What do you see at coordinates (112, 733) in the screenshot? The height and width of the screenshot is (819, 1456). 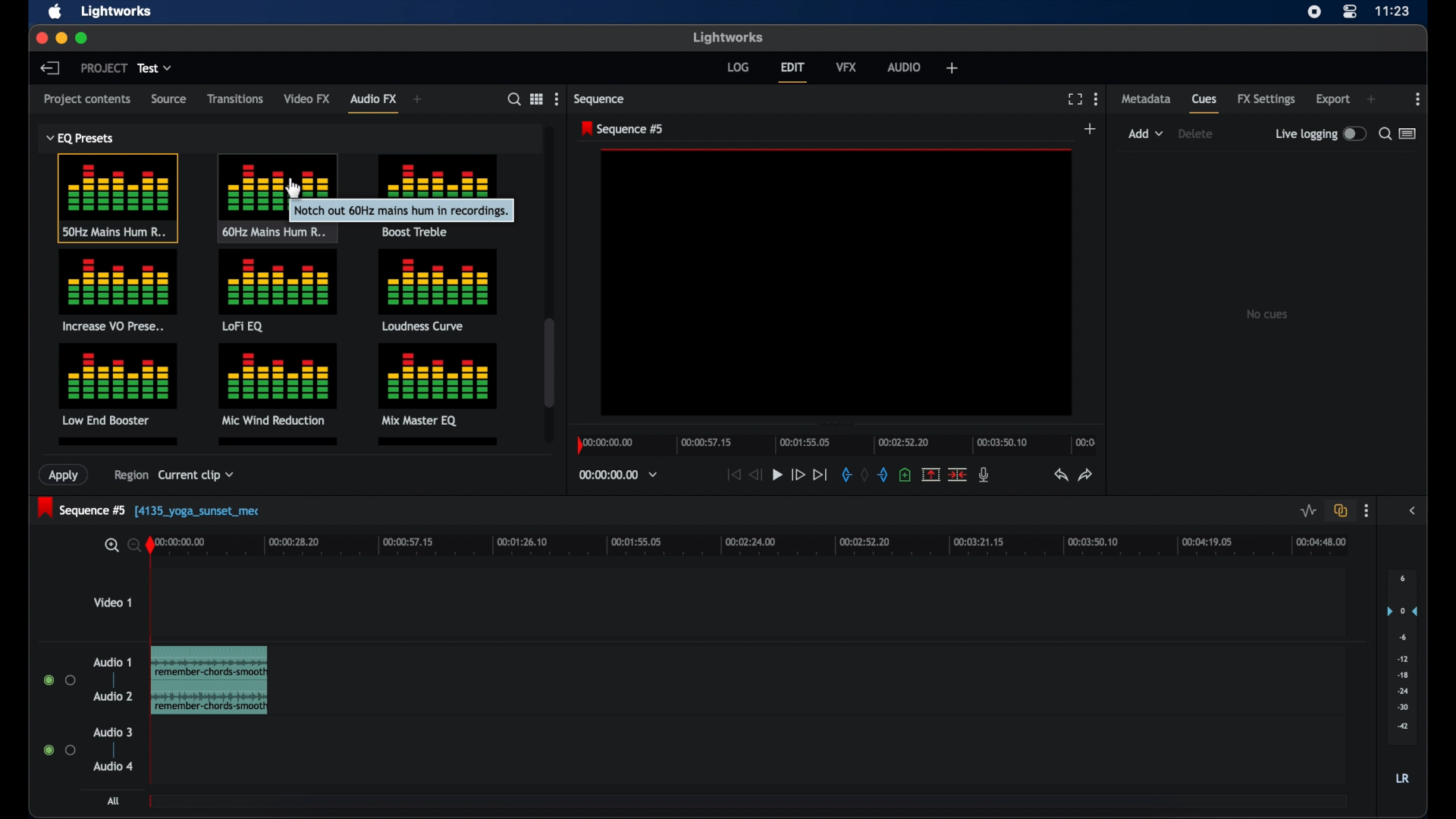 I see `audio 3` at bounding box center [112, 733].